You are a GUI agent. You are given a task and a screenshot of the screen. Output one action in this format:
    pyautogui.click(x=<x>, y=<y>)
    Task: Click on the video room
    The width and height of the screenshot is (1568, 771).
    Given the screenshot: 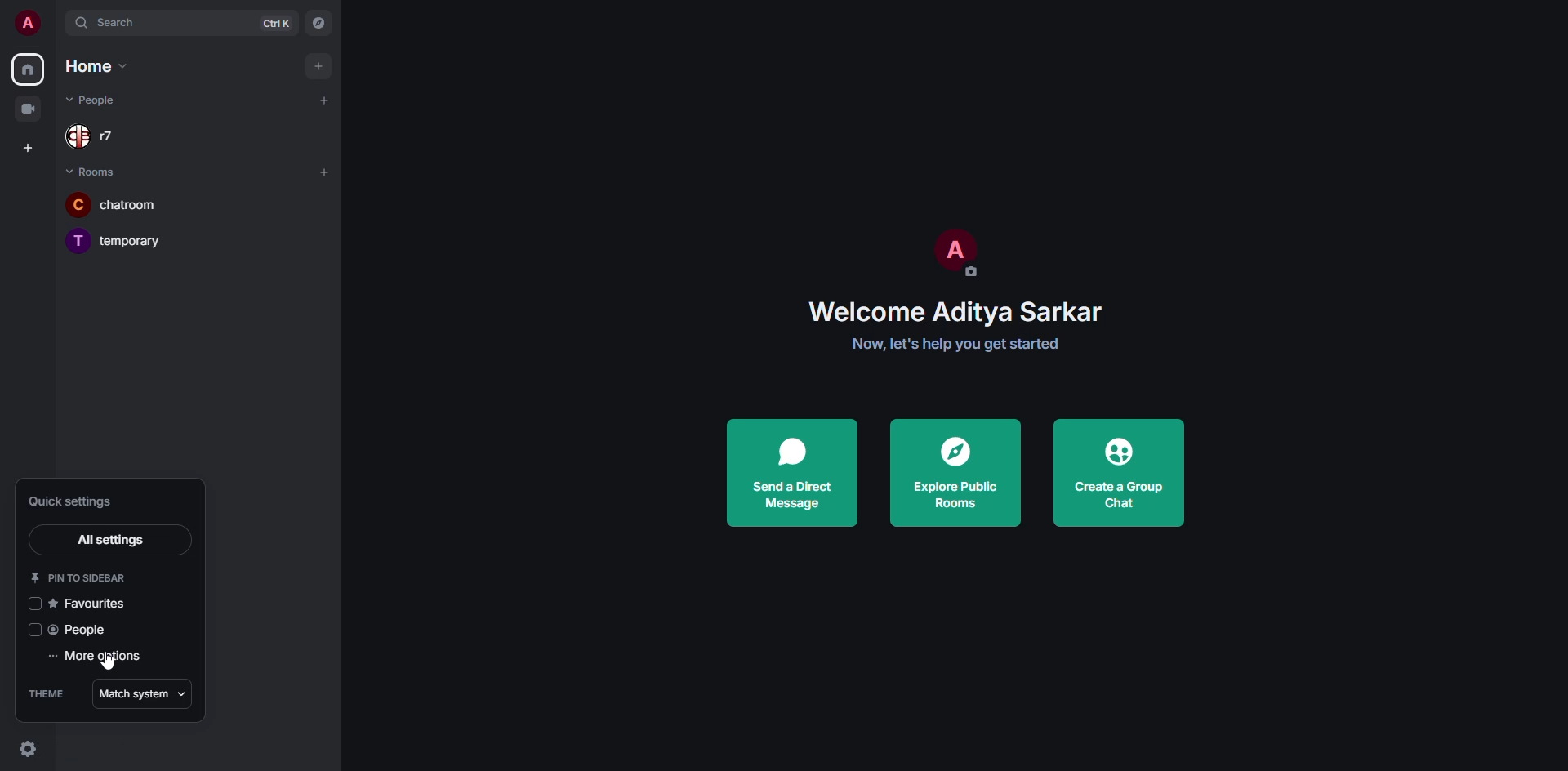 What is the action you would take?
    pyautogui.click(x=28, y=107)
    